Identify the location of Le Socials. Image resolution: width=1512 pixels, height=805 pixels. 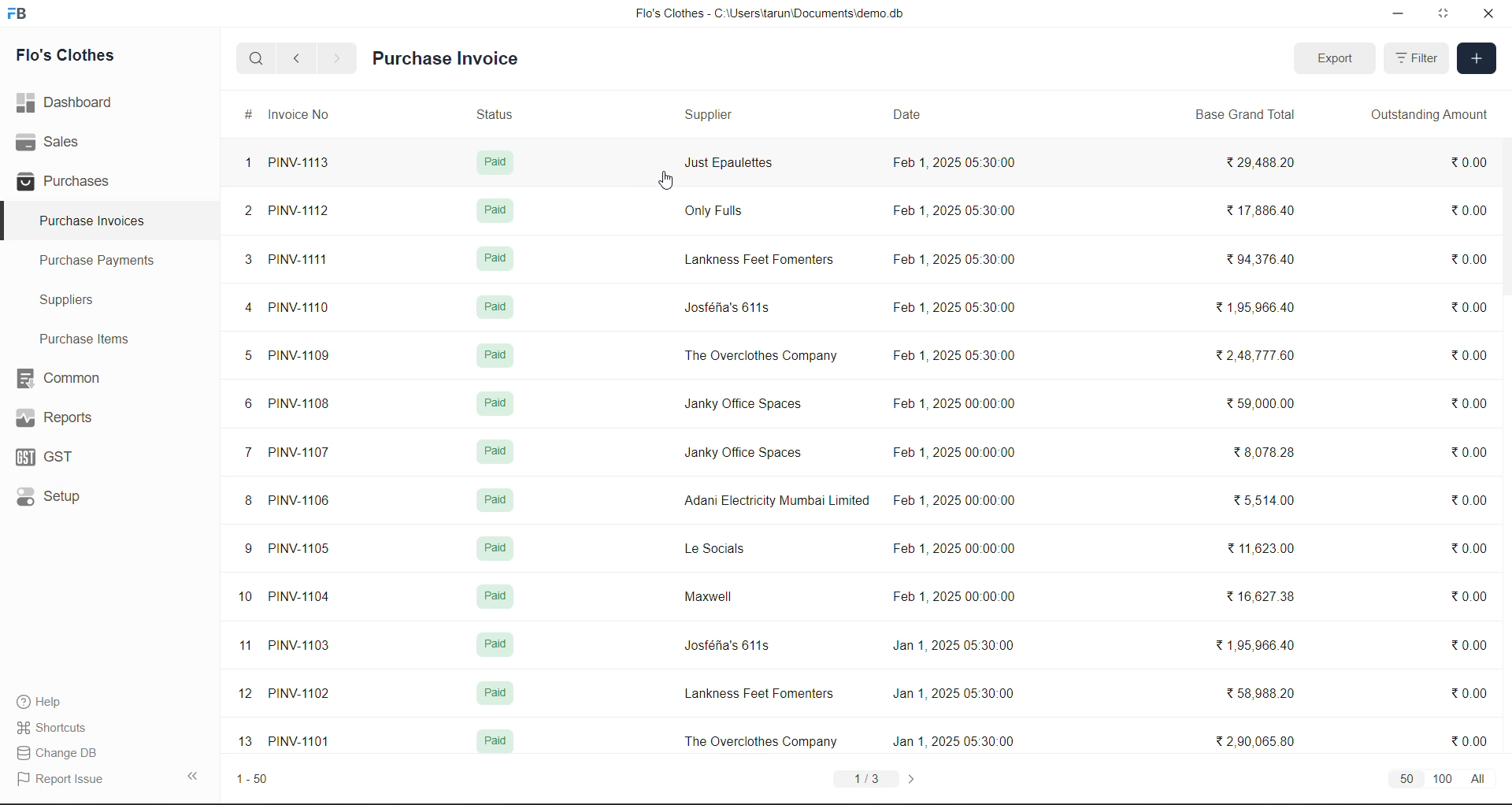
(713, 550).